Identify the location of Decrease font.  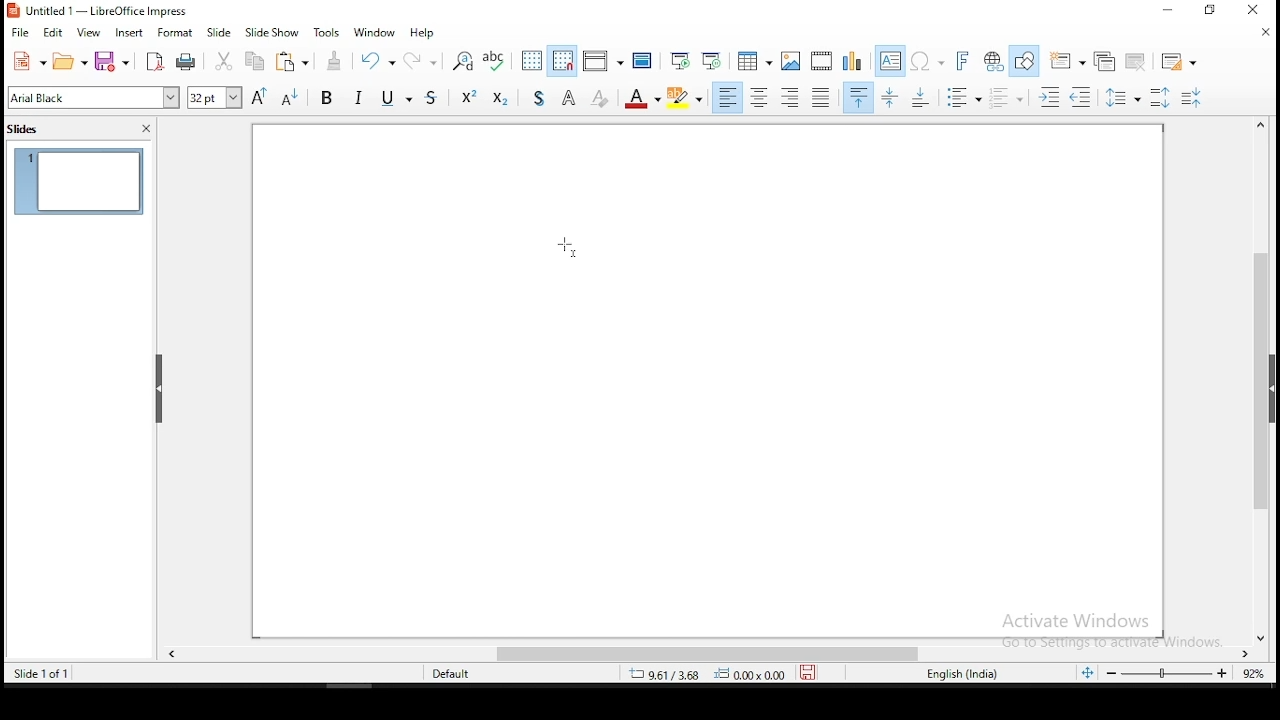
(287, 97).